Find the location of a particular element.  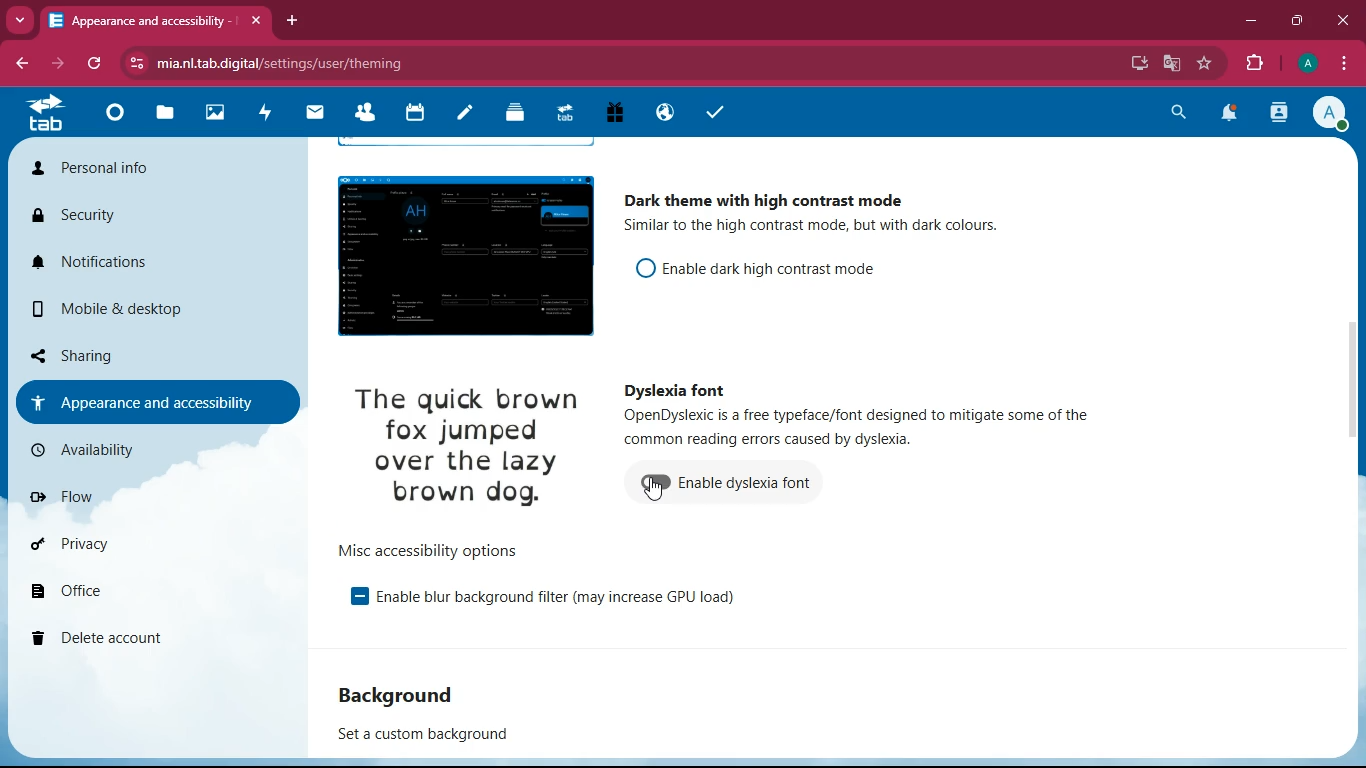

url is located at coordinates (282, 63).